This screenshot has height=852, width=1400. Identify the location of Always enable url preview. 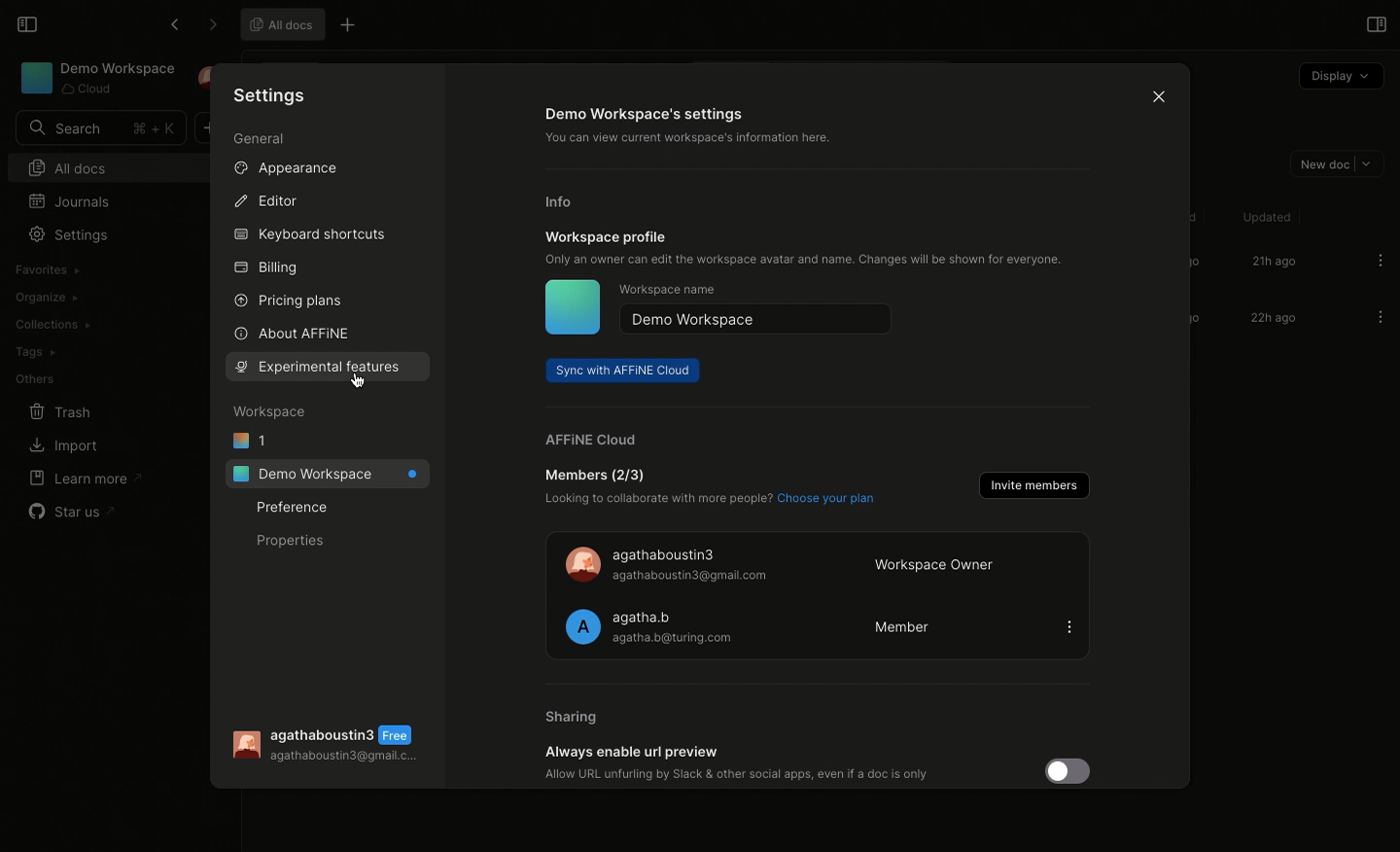
(774, 764).